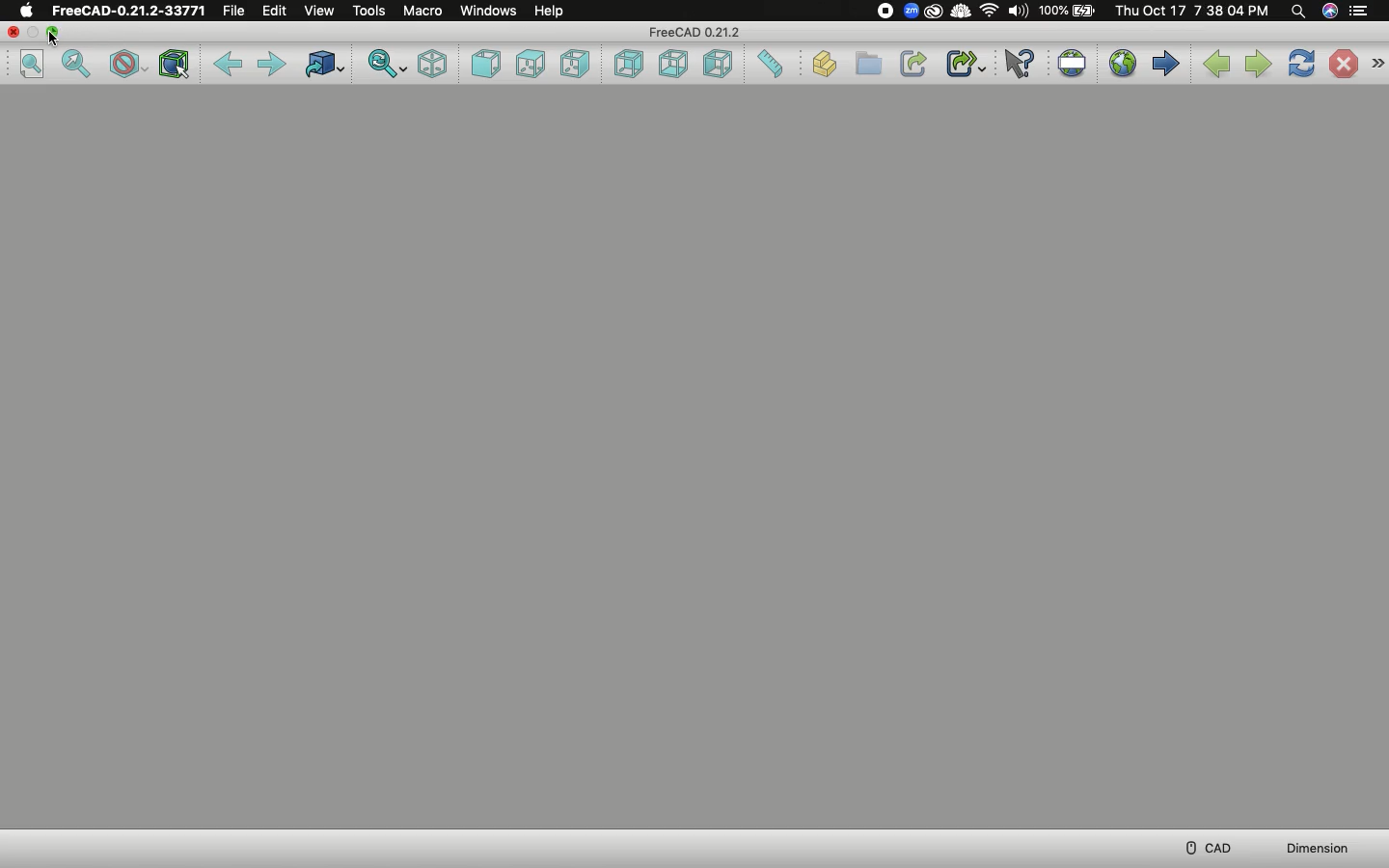  Describe the element at coordinates (128, 11) in the screenshot. I see `FreeCAD` at that location.